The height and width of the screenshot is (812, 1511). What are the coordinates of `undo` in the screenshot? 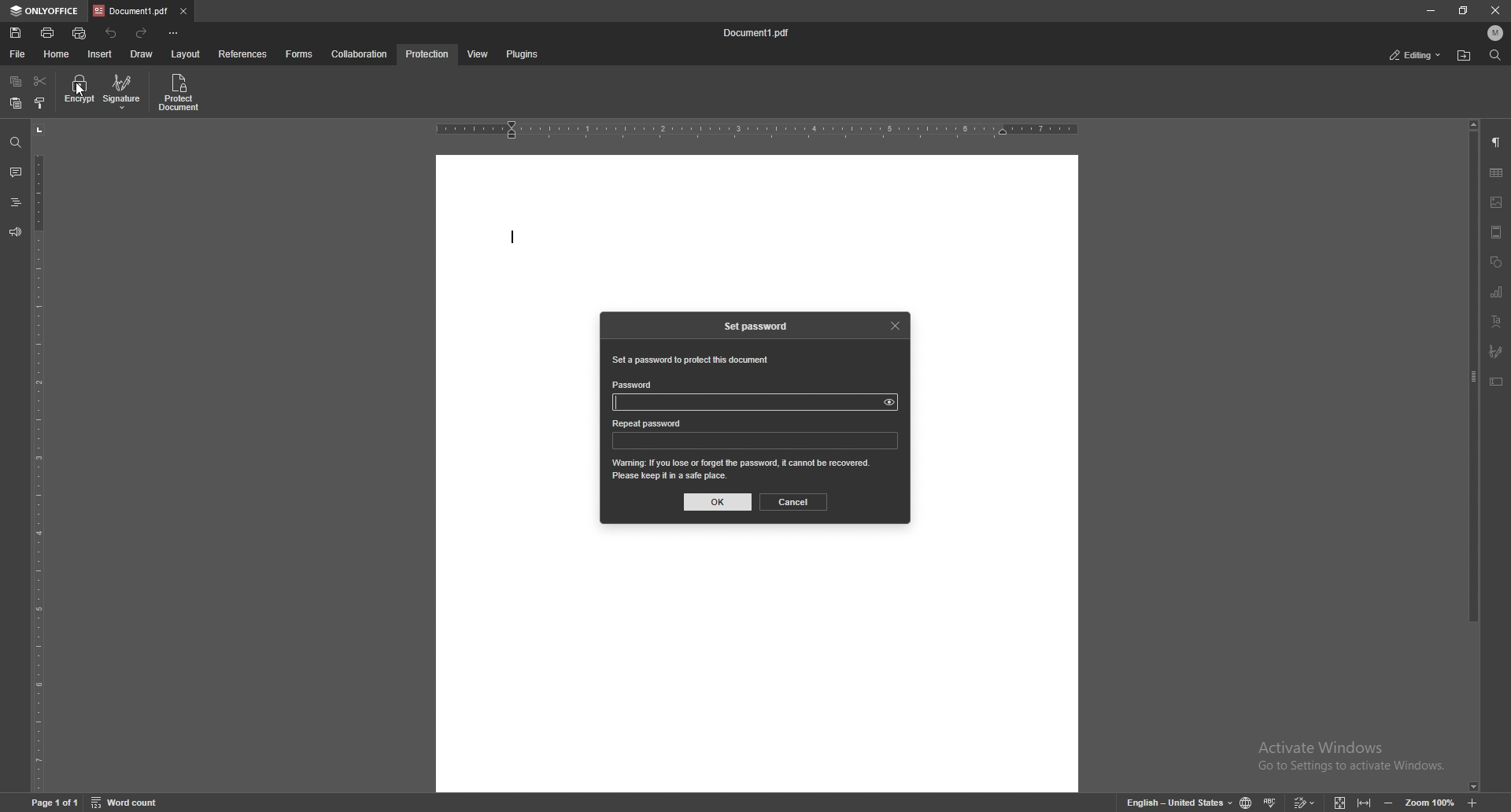 It's located at (112, 34).